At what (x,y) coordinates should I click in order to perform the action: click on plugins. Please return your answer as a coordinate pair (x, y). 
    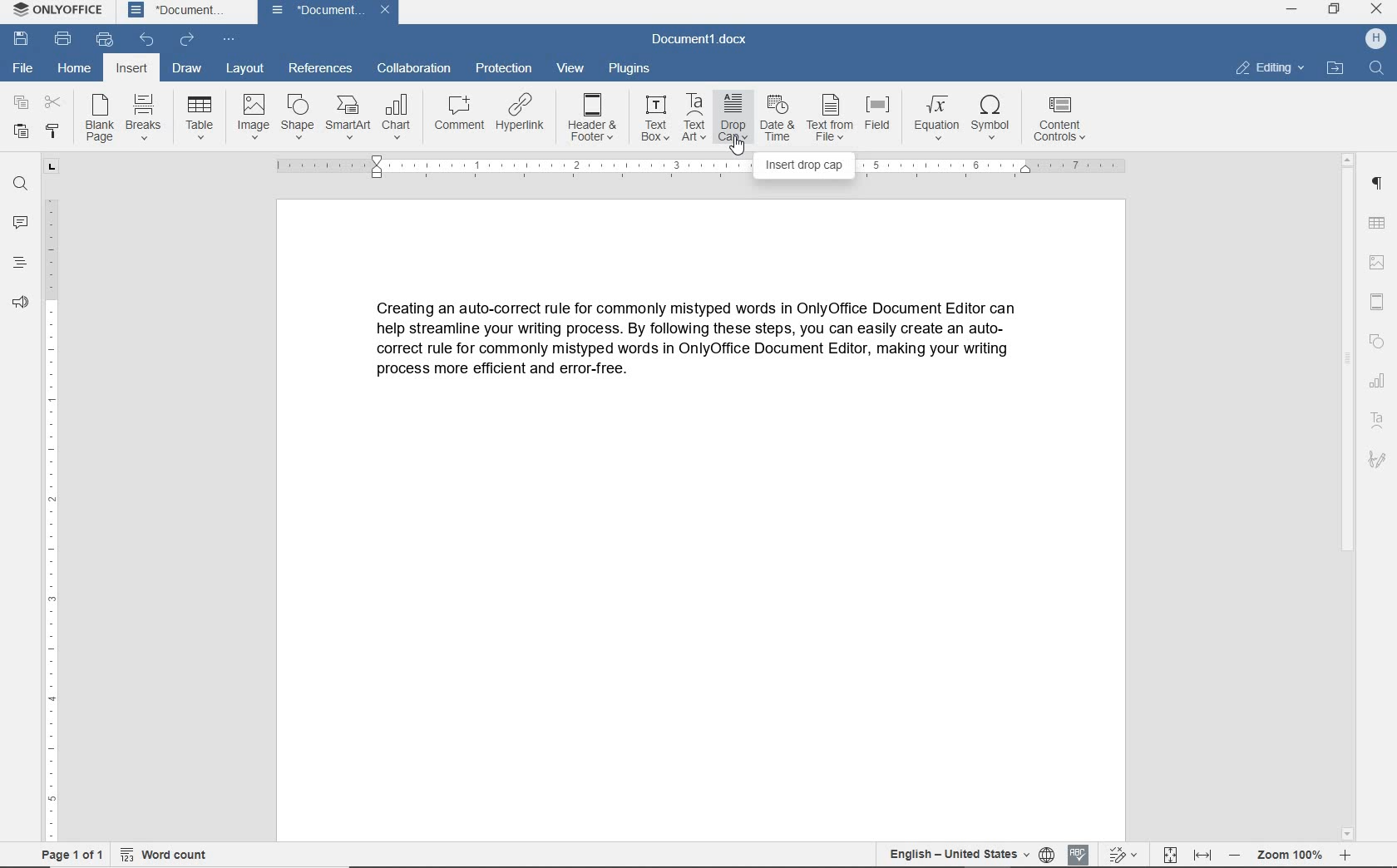
    Looking at the image, I should click on (631, 70).